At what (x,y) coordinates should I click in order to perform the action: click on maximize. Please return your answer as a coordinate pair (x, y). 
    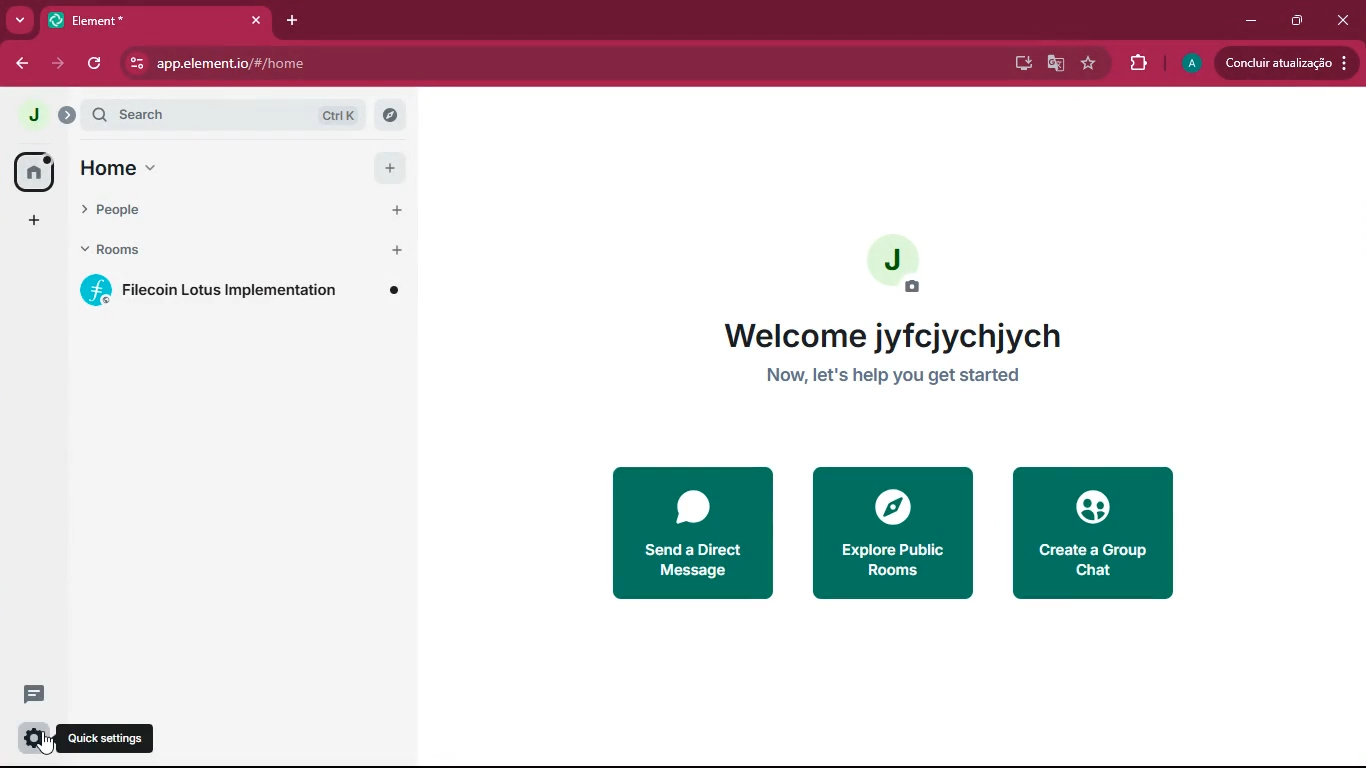
    Looking at the image, I should click on (1293, 21).